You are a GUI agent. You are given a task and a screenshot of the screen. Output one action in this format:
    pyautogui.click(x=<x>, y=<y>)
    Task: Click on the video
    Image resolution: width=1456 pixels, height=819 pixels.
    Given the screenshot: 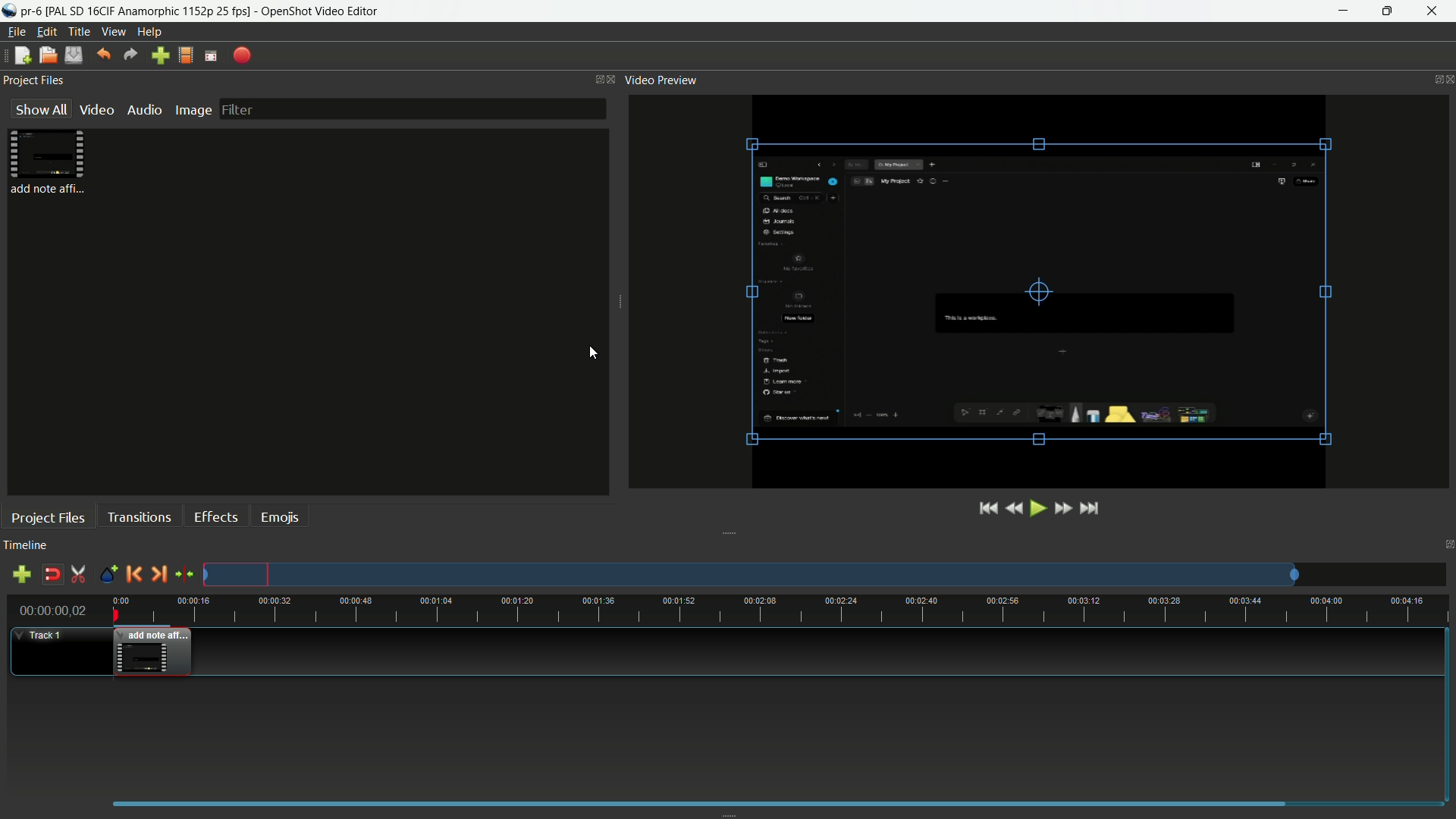 What is the action you would take?
    pyautogui.click(x=96, y=110)
    